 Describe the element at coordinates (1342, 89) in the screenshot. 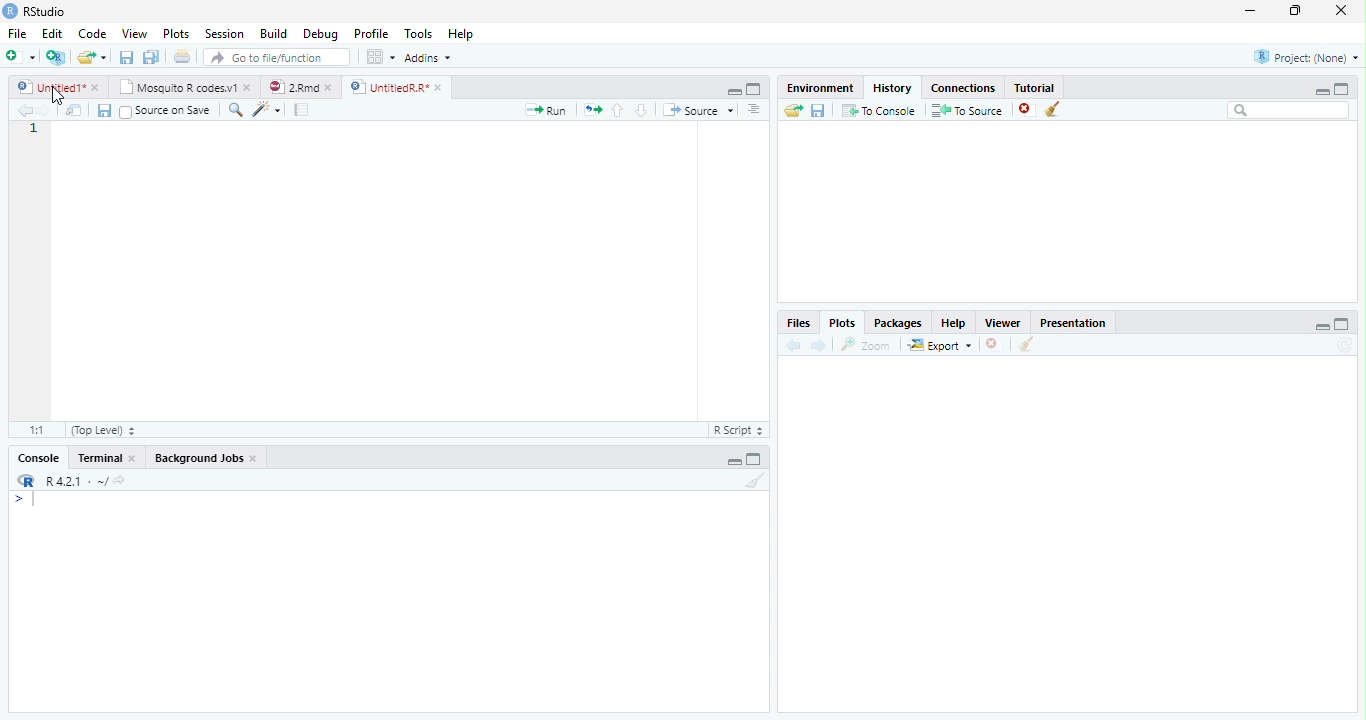

I see `maximize` at that location.